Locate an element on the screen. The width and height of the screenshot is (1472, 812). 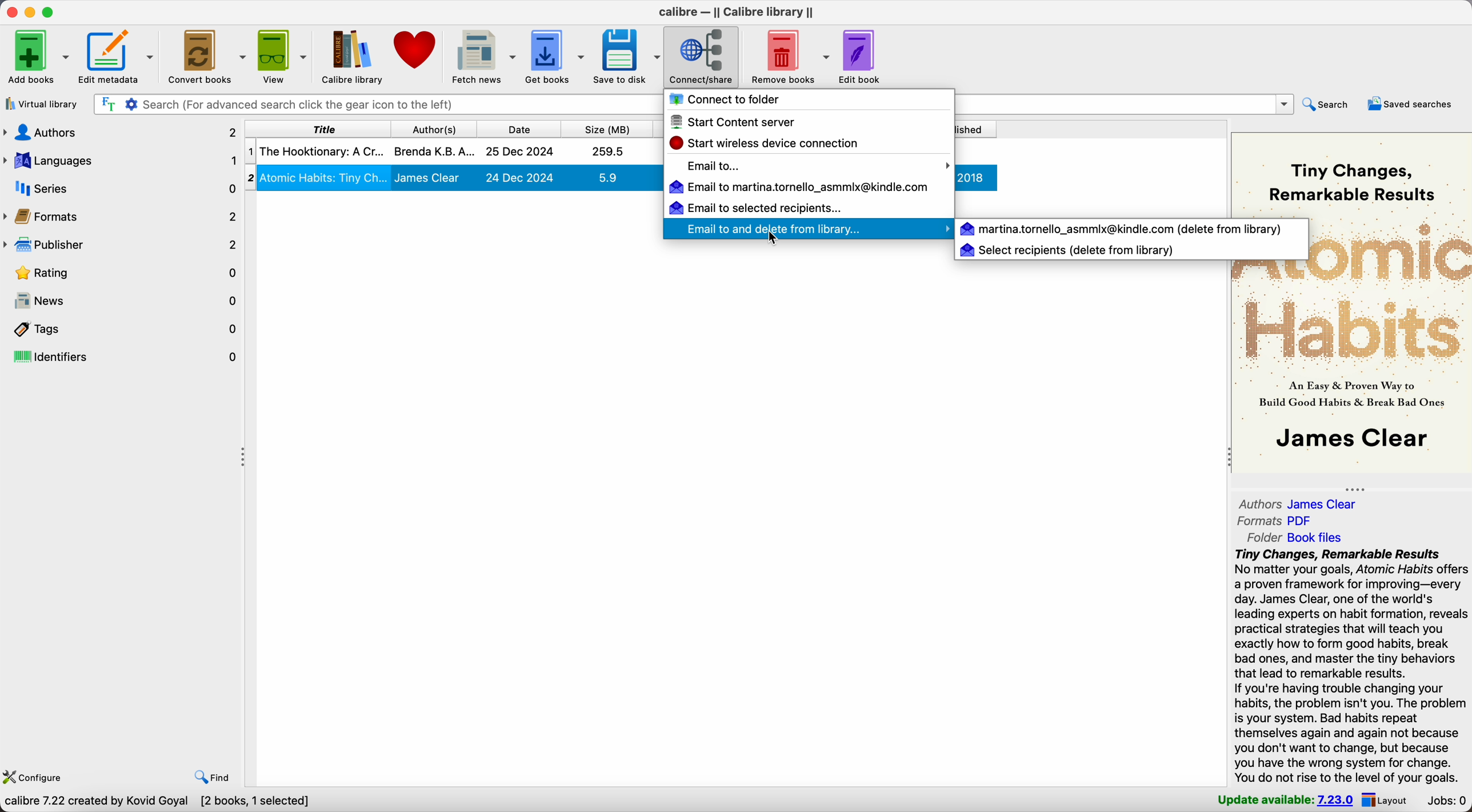
languages is located at coordinates (121, 162).